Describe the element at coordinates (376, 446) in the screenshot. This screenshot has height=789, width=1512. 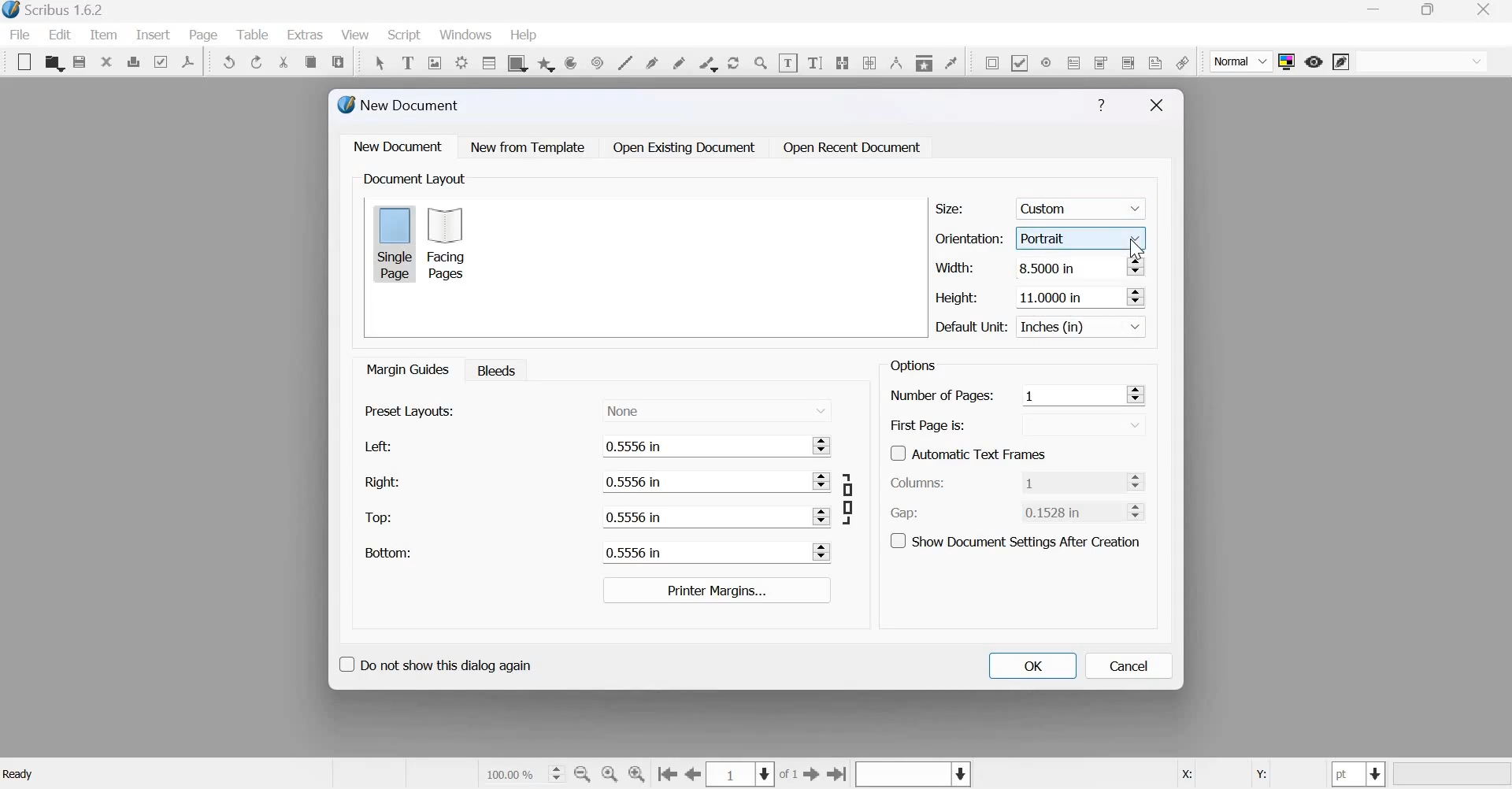
I see `Left:` at that location.